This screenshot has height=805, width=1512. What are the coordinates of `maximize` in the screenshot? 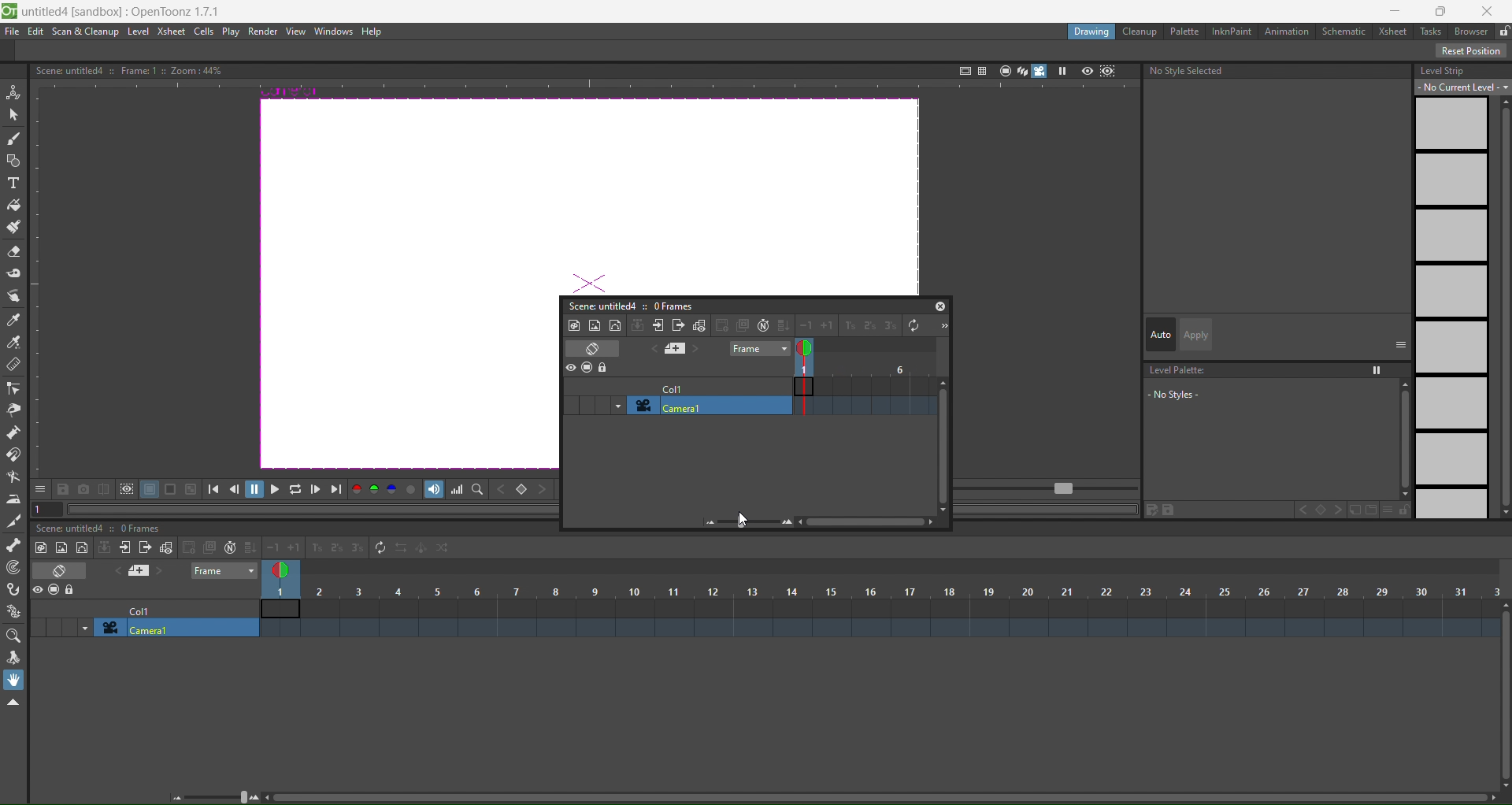 It's located at (1443, 10).